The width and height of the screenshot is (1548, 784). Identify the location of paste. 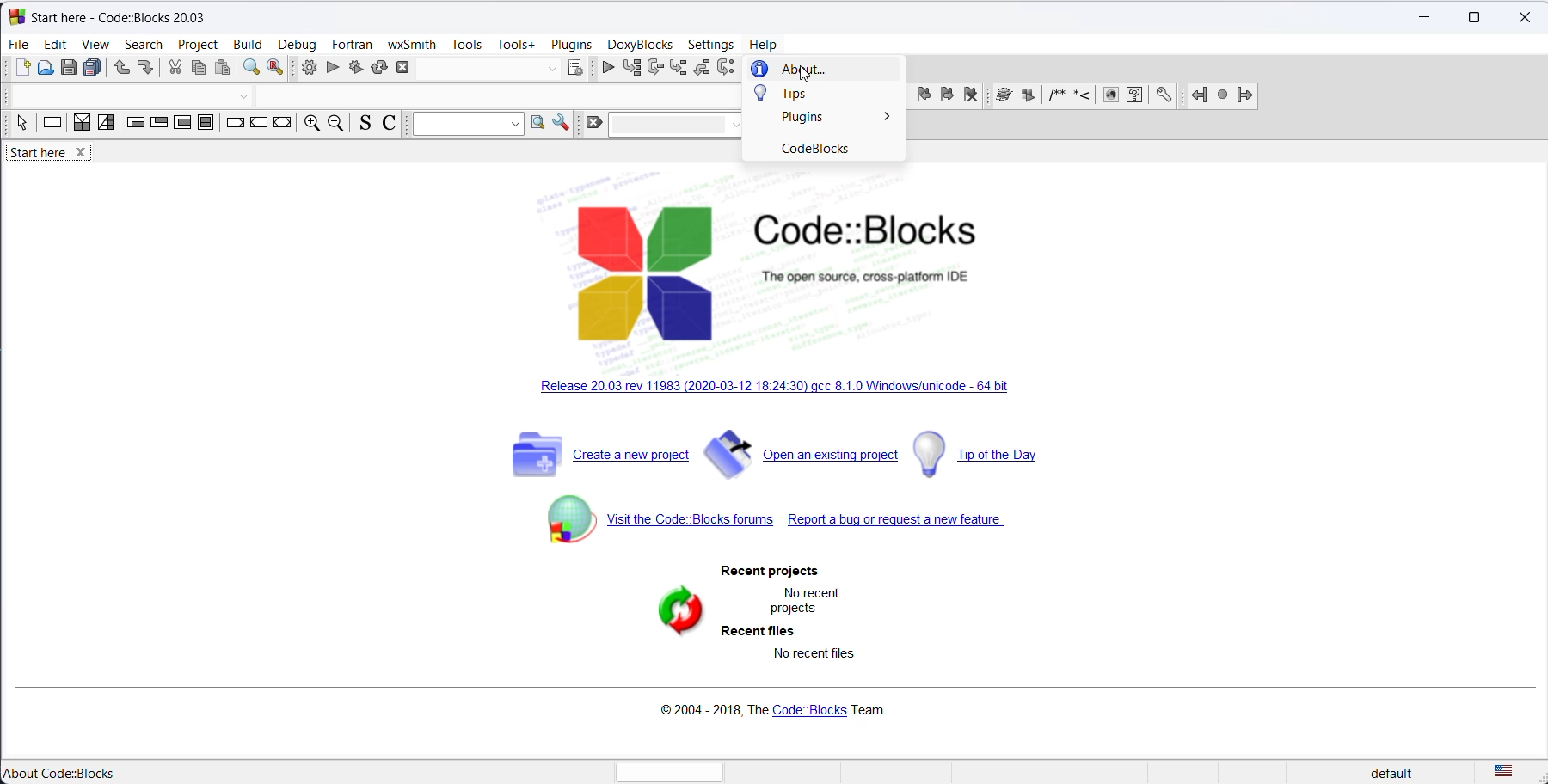
(224, 68).